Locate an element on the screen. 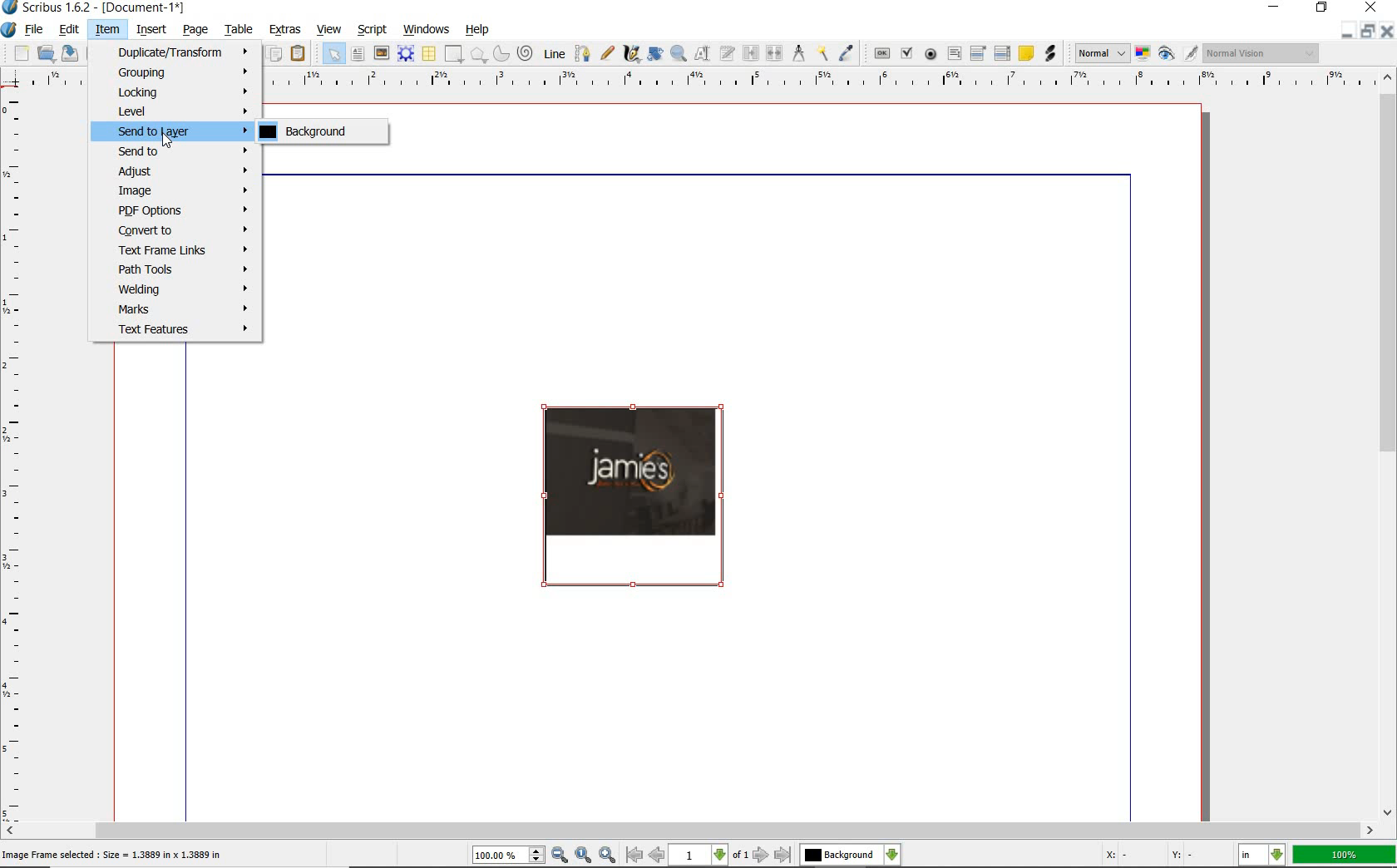 This screenshot has height=868, width=1397. First Page is located at coordinates (634, 856).